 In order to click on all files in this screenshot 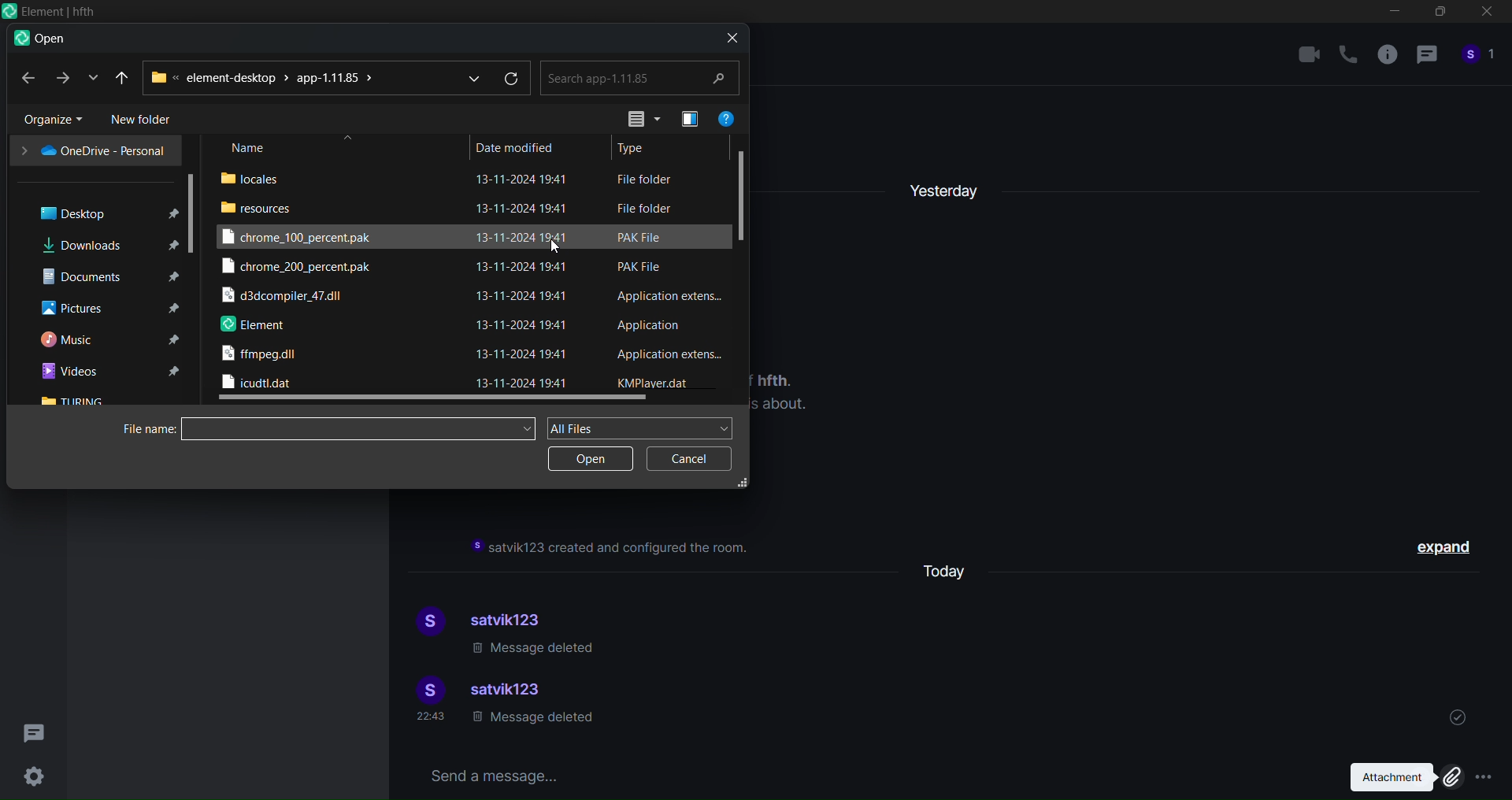, I will do `click(643, 427)`.